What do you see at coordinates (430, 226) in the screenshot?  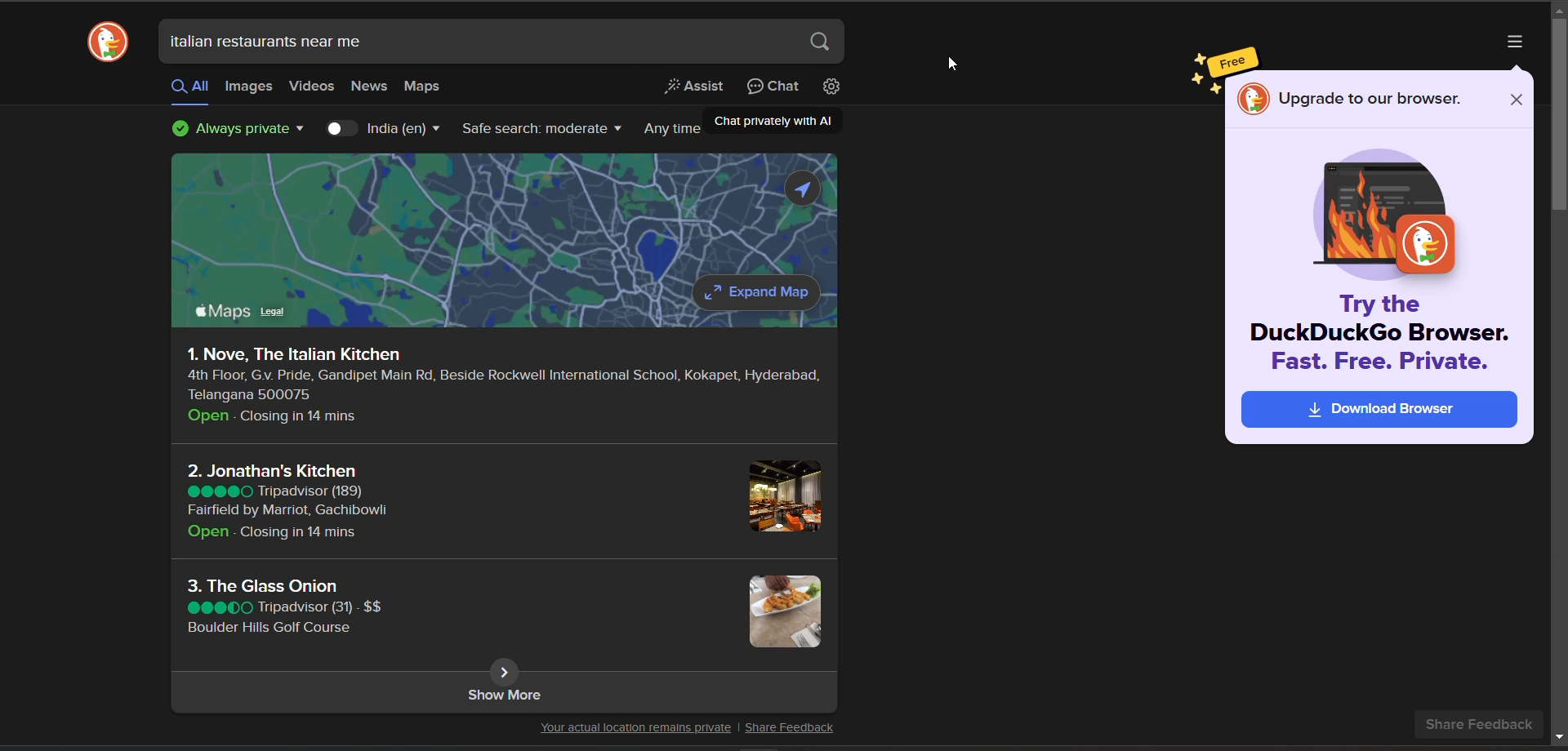 I see `Preview of map` at bounding box center [430, 226].